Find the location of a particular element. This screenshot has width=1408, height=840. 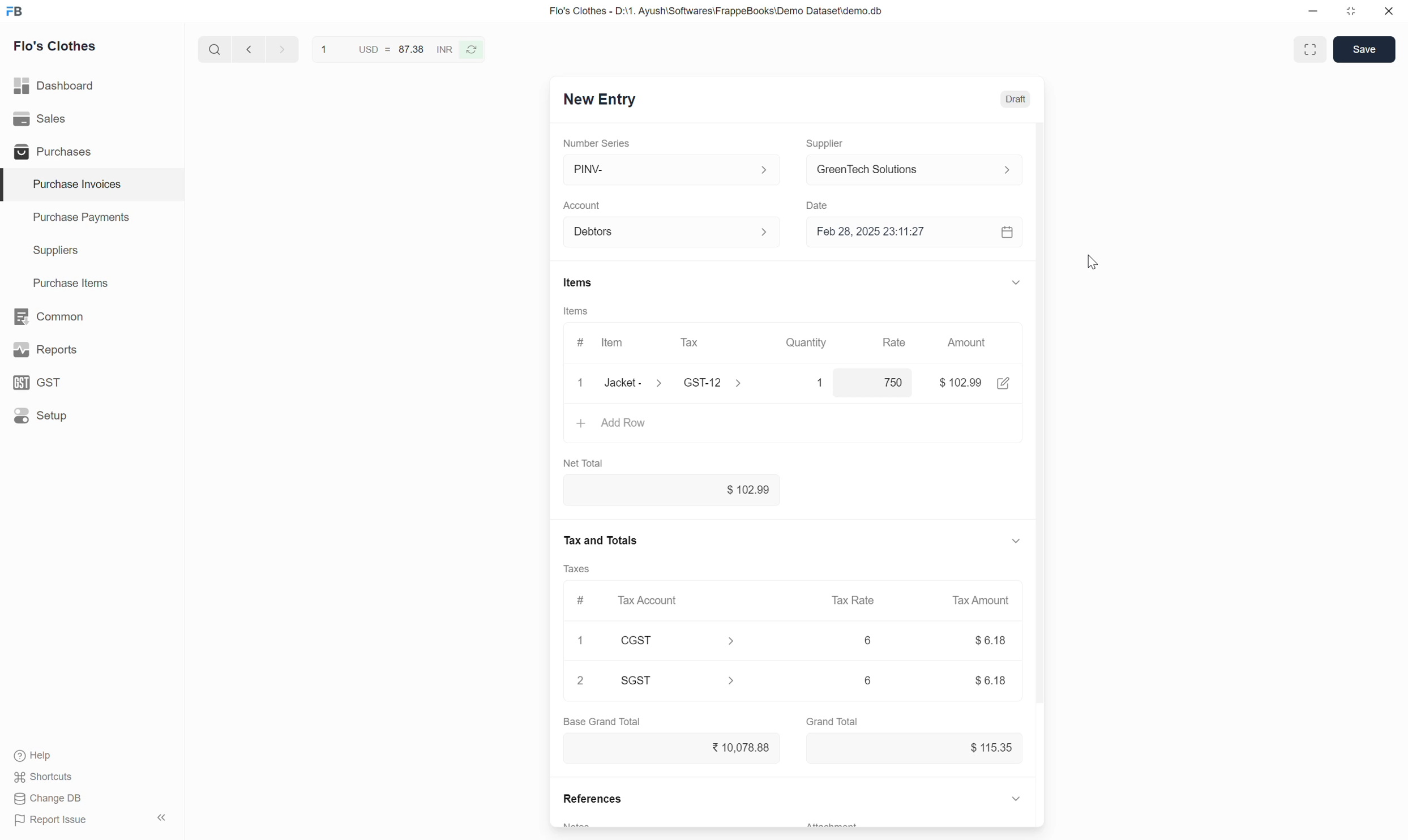

750 is located at coordinates (875, 382).